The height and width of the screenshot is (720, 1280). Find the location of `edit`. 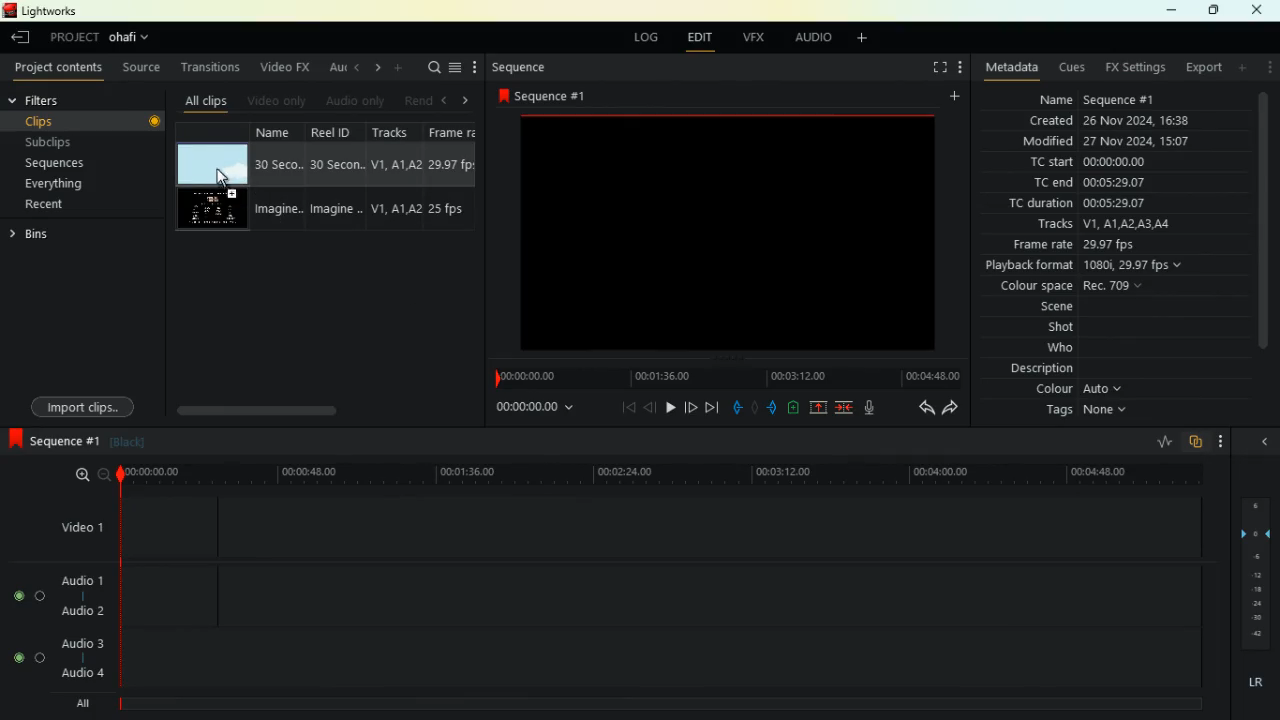

edit is located at coordinates (694, 37).